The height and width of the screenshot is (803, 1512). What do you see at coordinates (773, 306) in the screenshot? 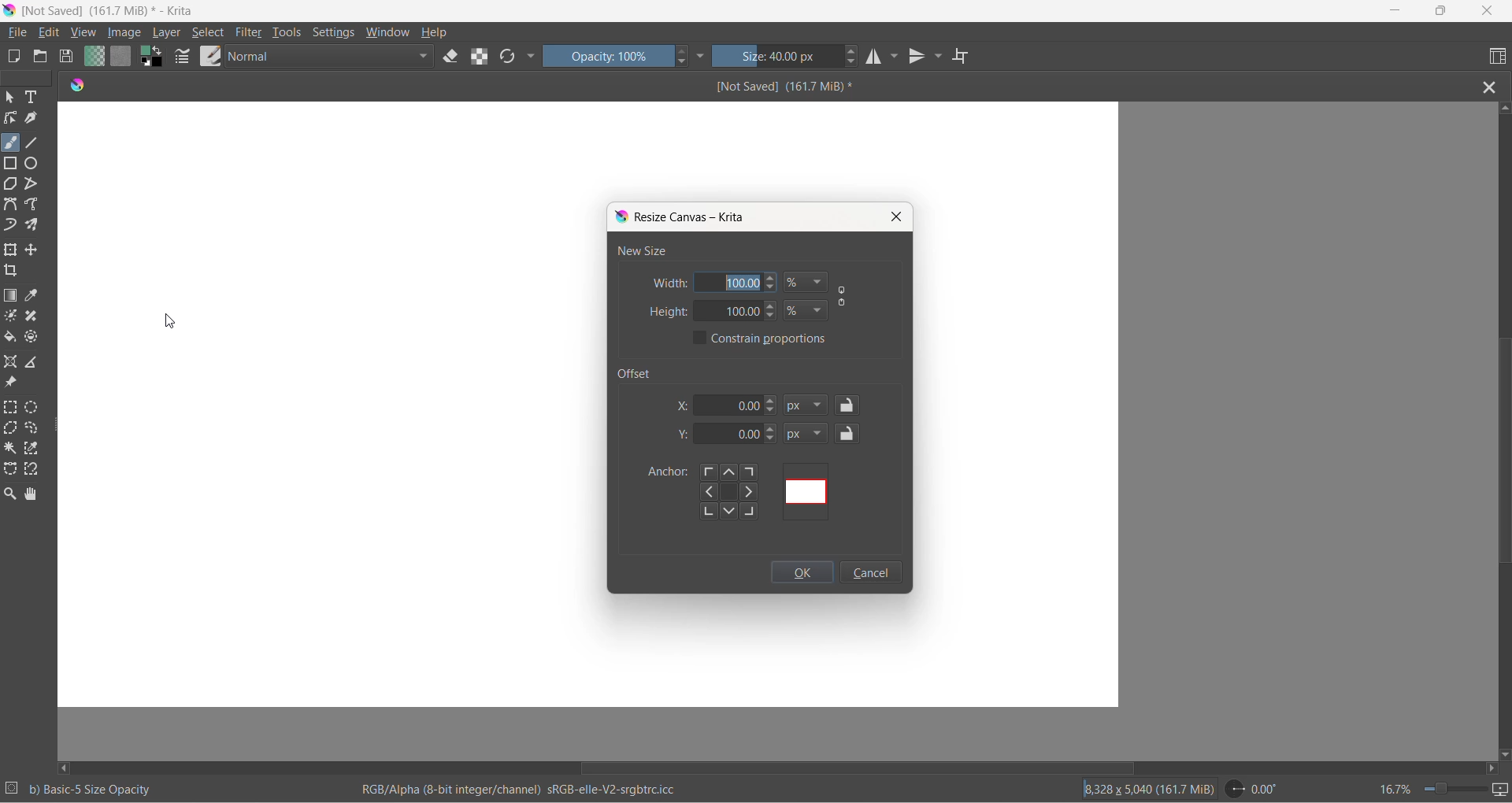
I see `increment height` at bounding box center [773, 306].